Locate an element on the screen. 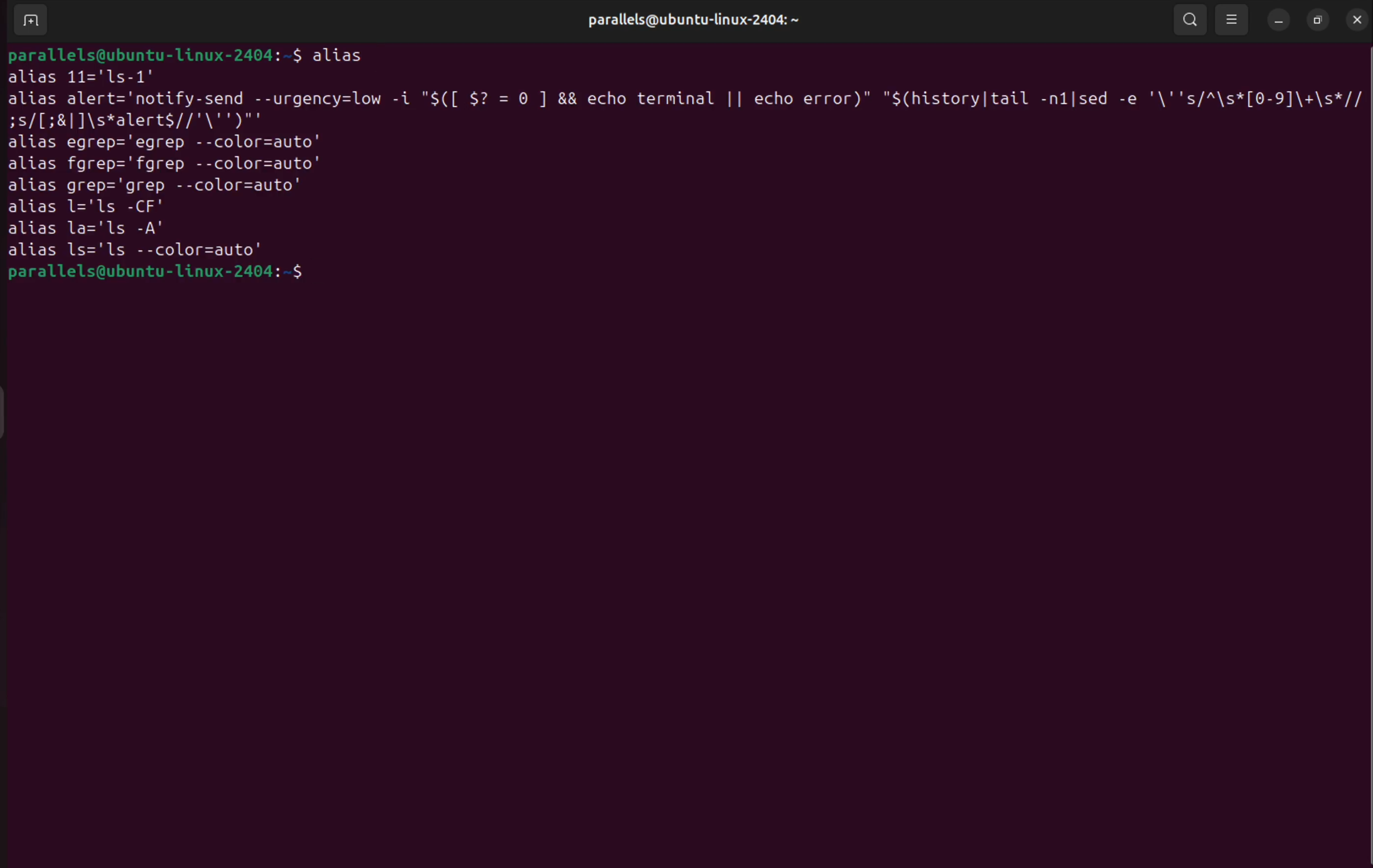  minimize is located at coordinates (1276, 19).